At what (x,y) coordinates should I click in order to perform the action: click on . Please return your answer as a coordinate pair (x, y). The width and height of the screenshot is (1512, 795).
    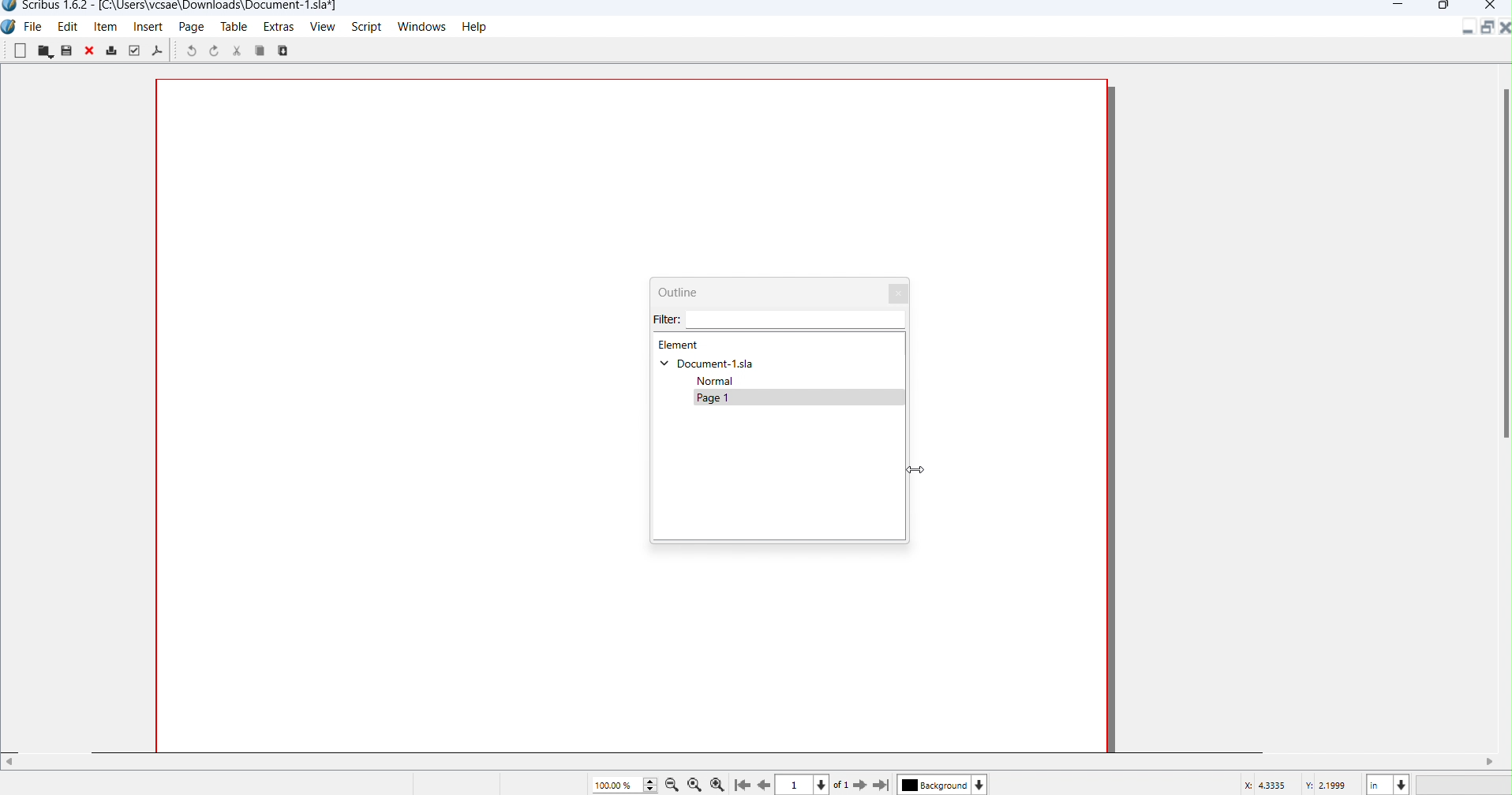
    Looking at the image, I should click on (107, 28).